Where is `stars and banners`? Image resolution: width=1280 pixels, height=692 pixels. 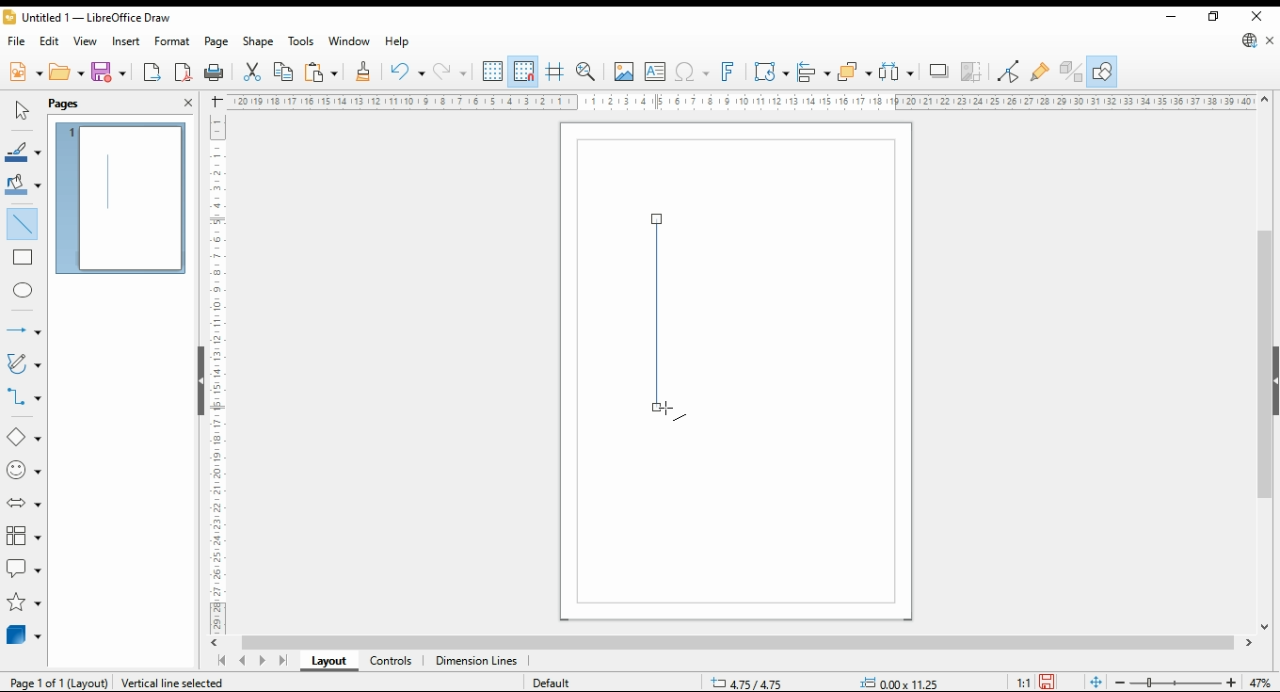 stars and banners is located at coordinates (22, 603).